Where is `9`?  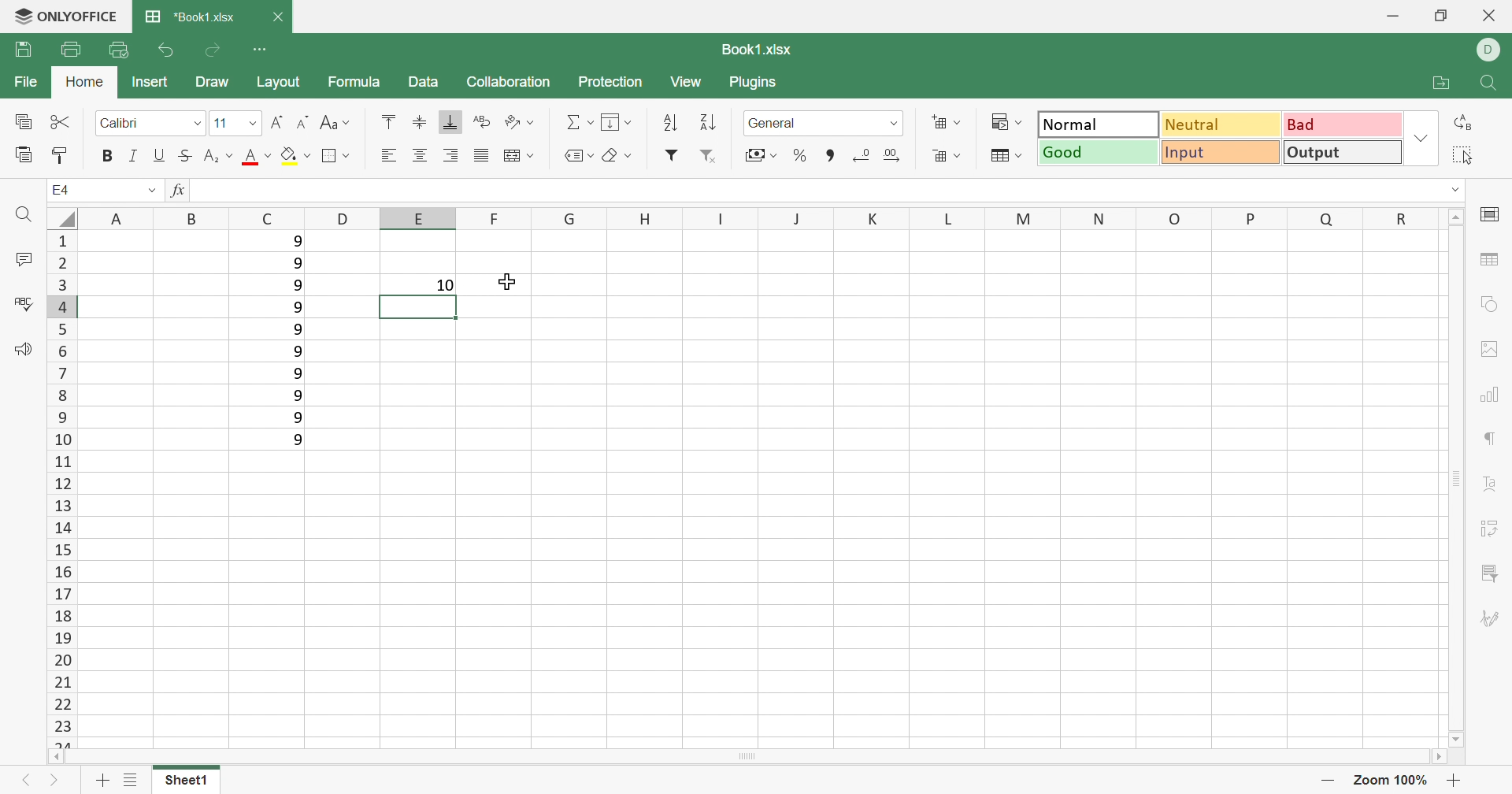 9 is located at coordinates (297, 419).